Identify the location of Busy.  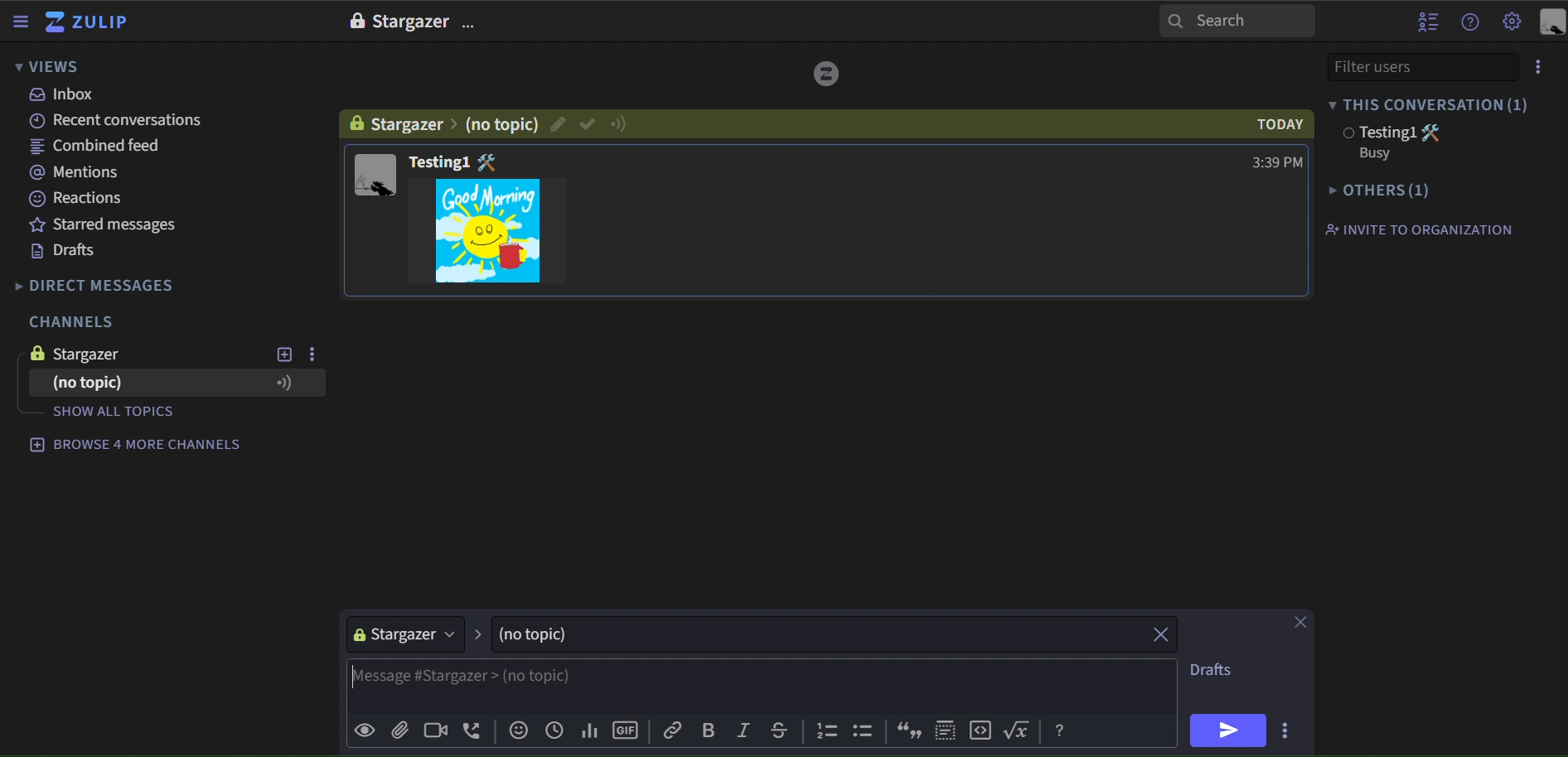
(1373, 152).